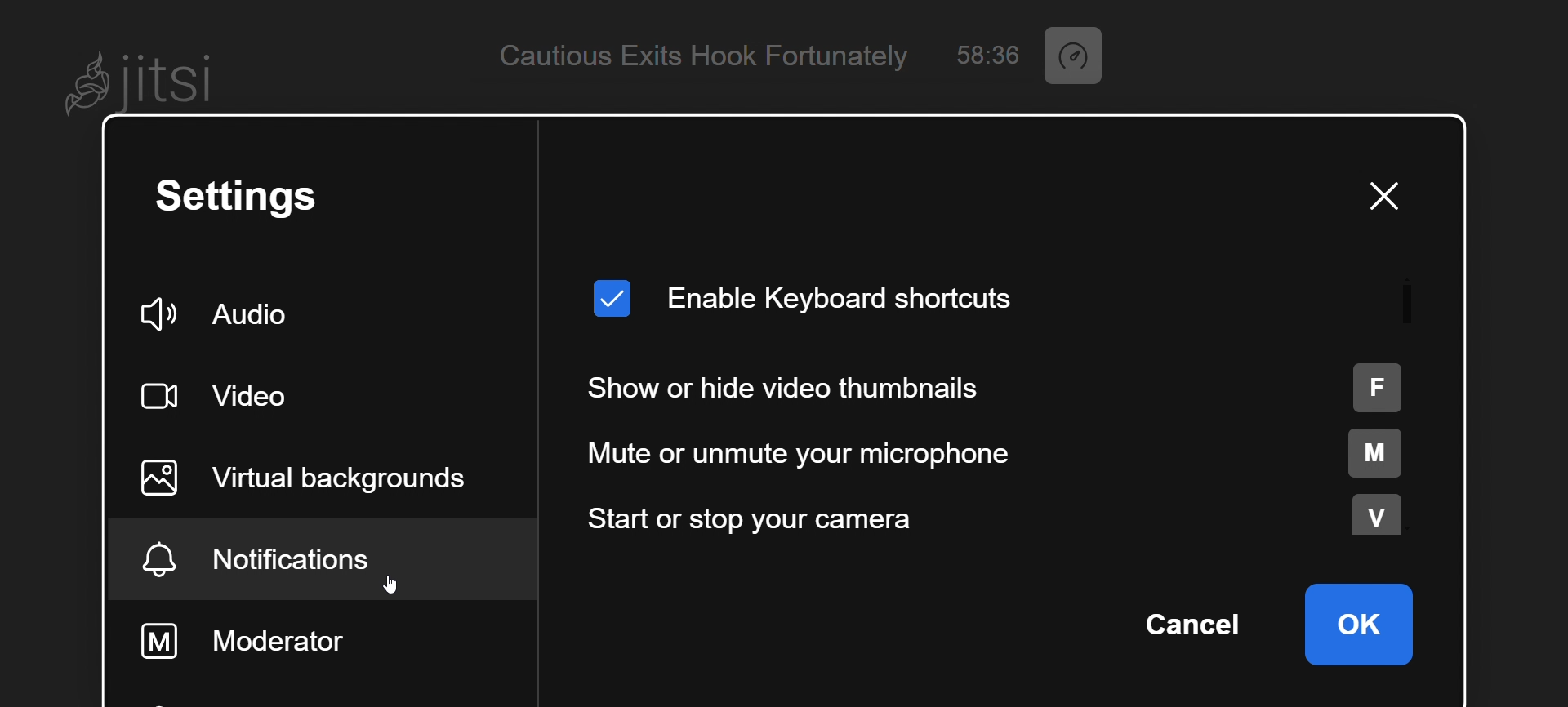 Image resolution: width=1568 pixels, height=707 pixels. What do you see at coordinates (1083, 56) in the screenshot?
I see `performance setting` at bounding box center [1083, 56].